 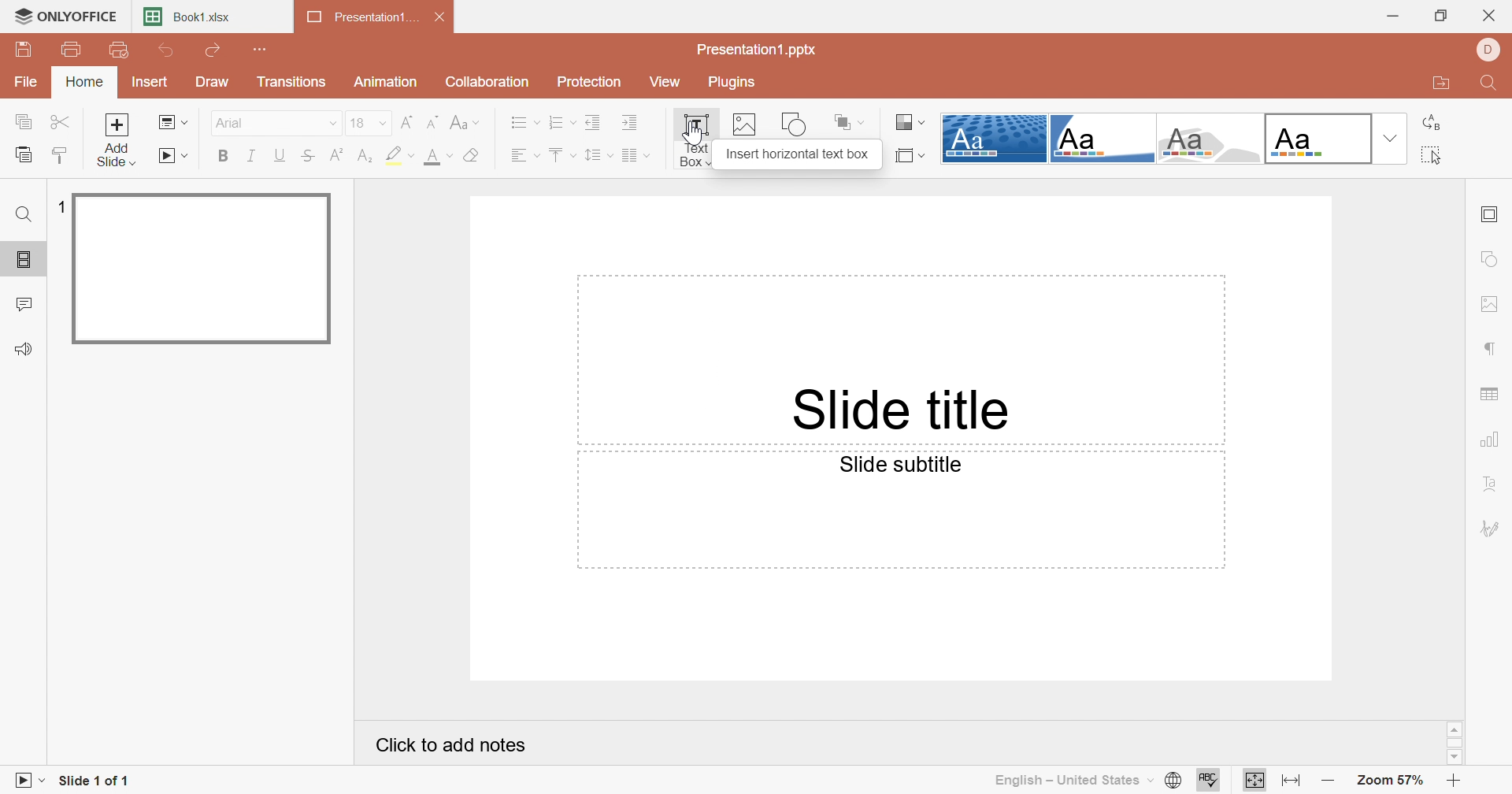 I want to click on Close, so click(x=1492, y=12).